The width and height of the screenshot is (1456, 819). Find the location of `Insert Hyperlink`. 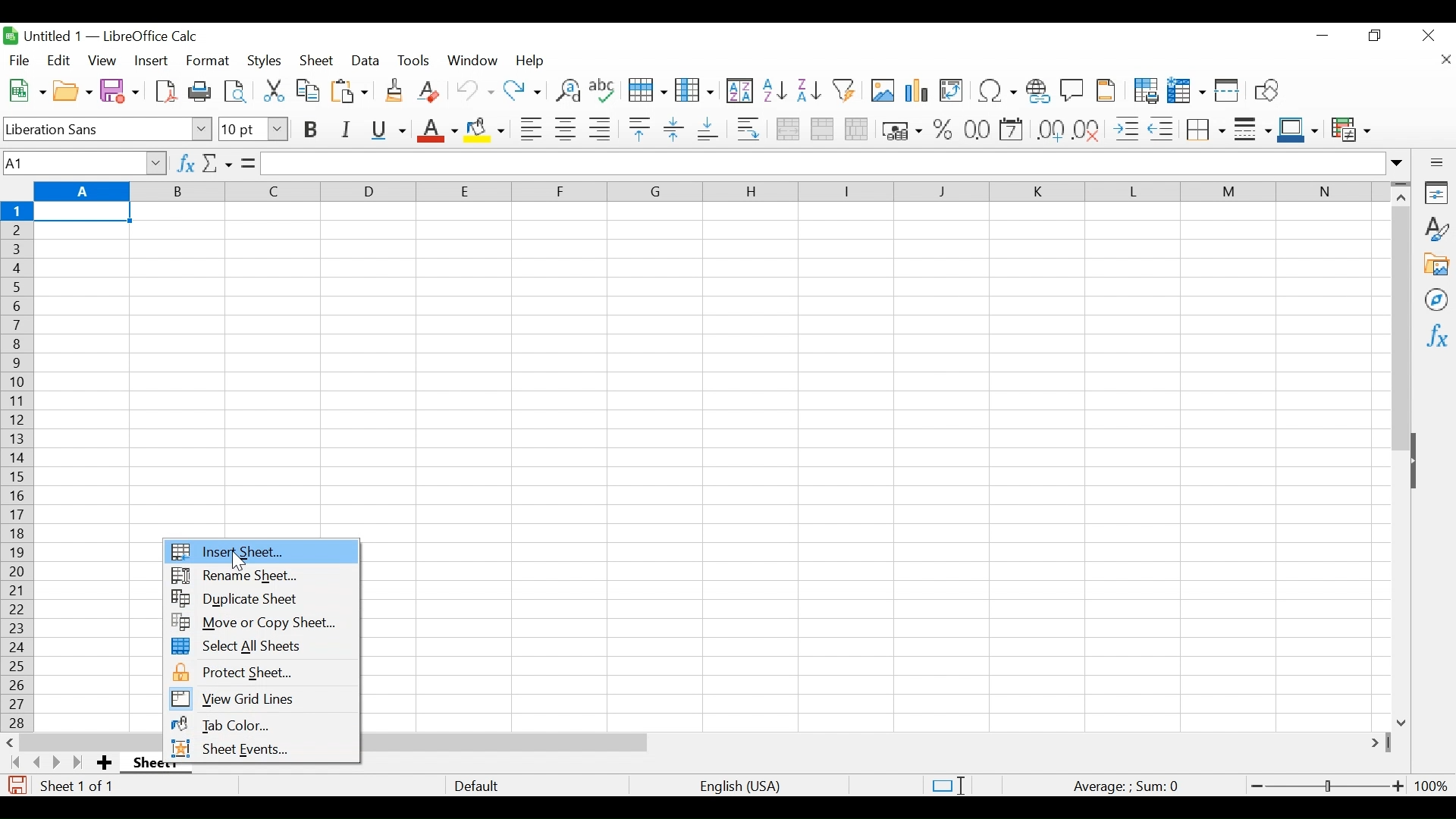

Insert Hyperlink is located at coordinates (1038, 93).